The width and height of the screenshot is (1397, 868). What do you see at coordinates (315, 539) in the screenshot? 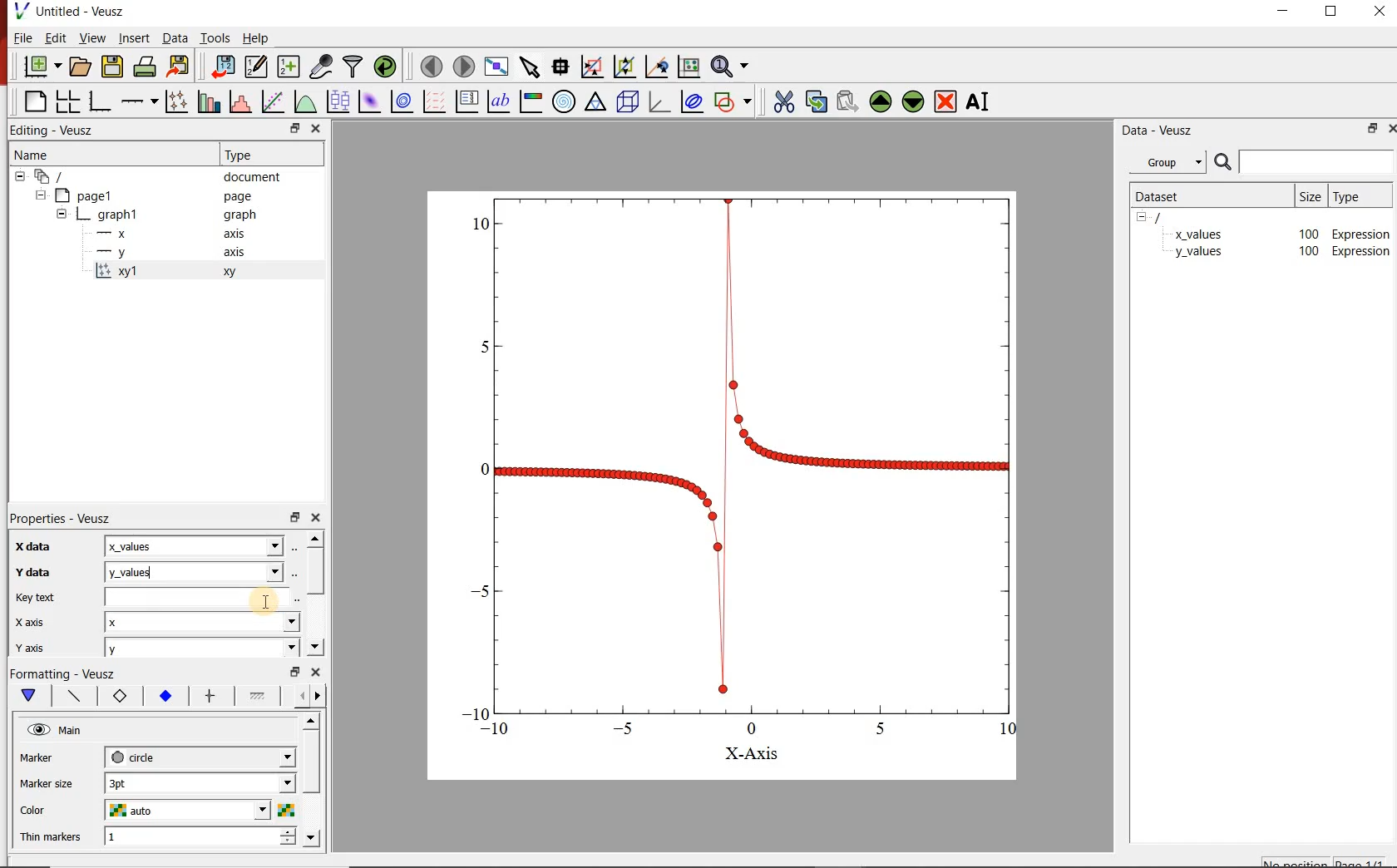
I see `move up` at bounding box center [315, 539].